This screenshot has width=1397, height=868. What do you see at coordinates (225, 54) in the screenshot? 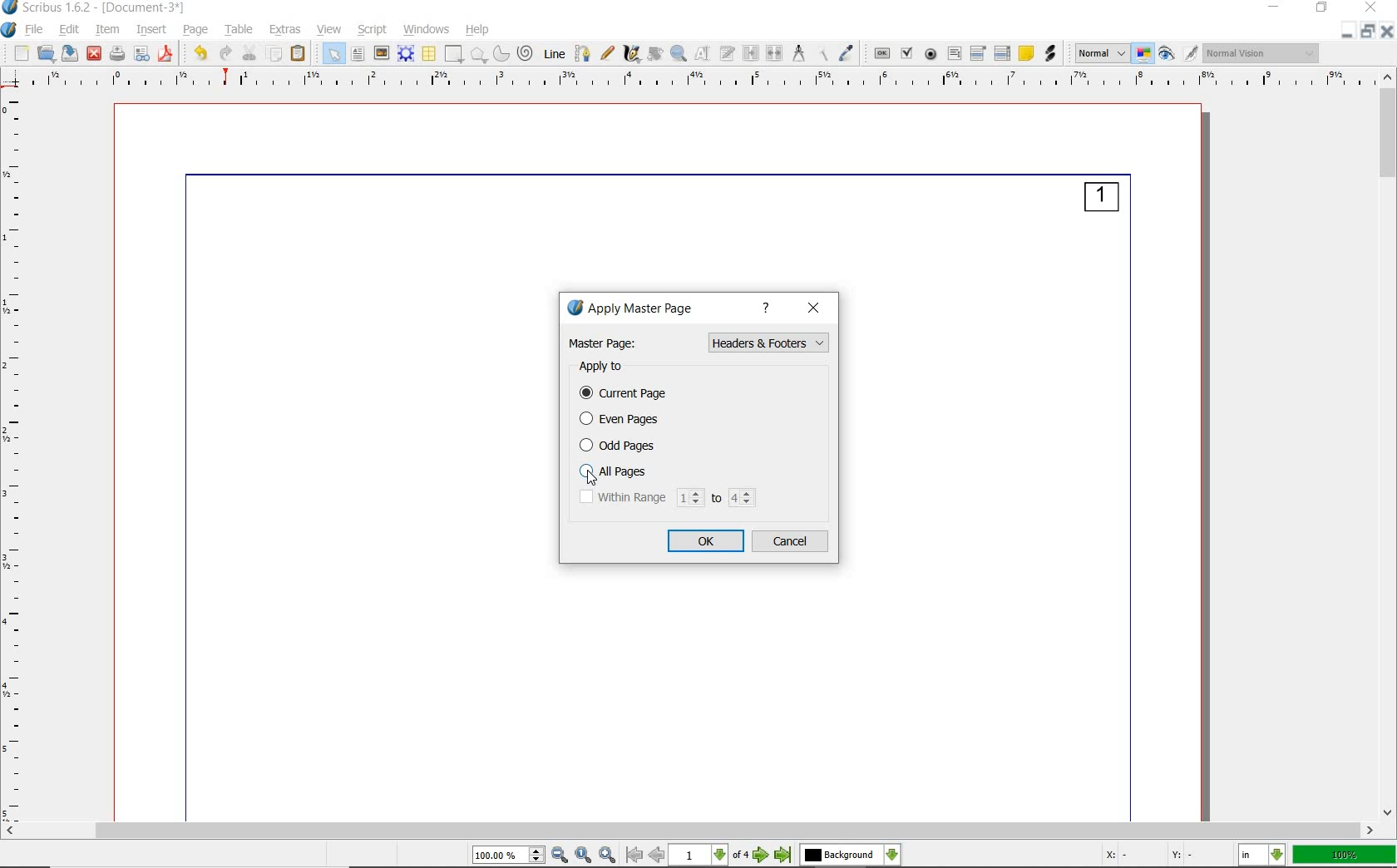
I see `redo` at bounding box center [225, 54].